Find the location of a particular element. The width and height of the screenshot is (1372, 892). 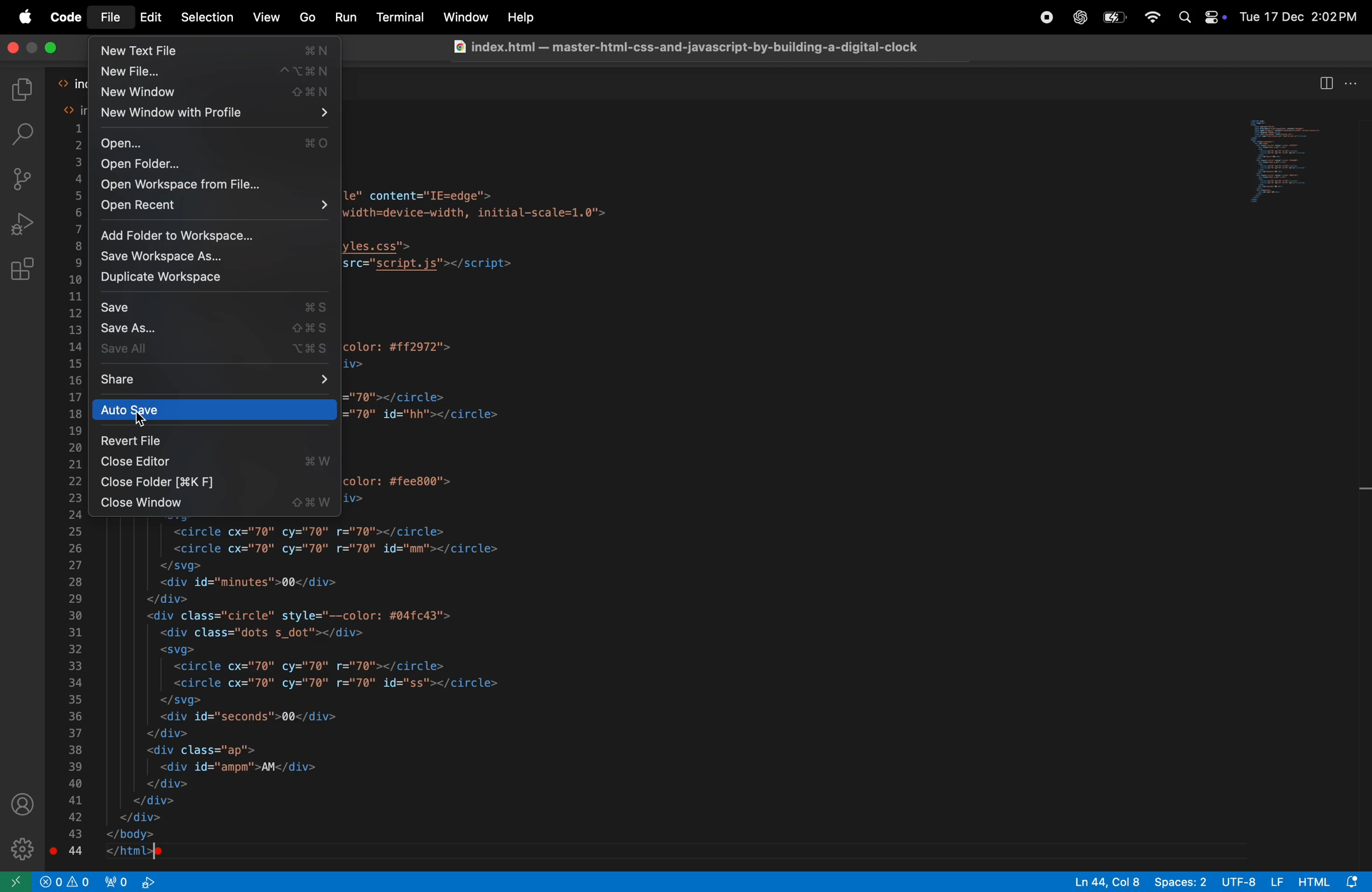

selections is located at coordinates (209, 18).